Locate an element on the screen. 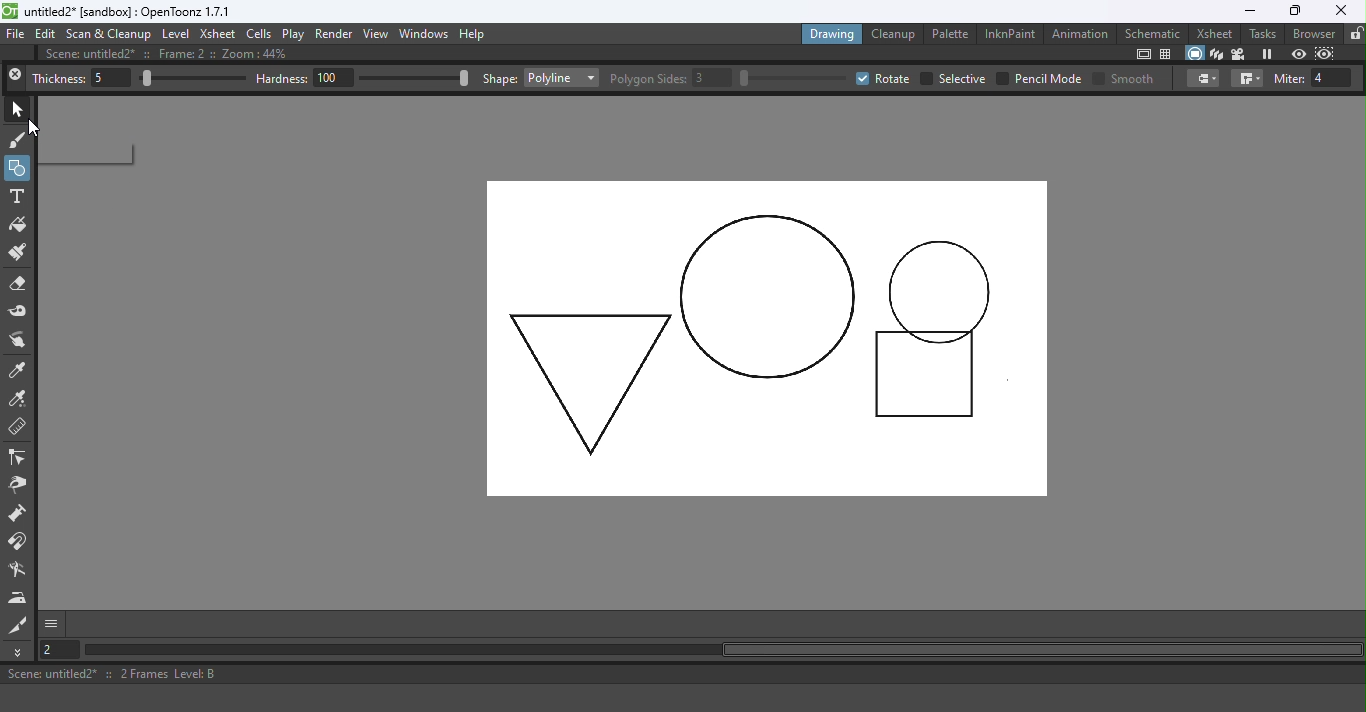 The height and width of the screenshot is (712, 1366). Browser is located at coordinates (1312, 33).